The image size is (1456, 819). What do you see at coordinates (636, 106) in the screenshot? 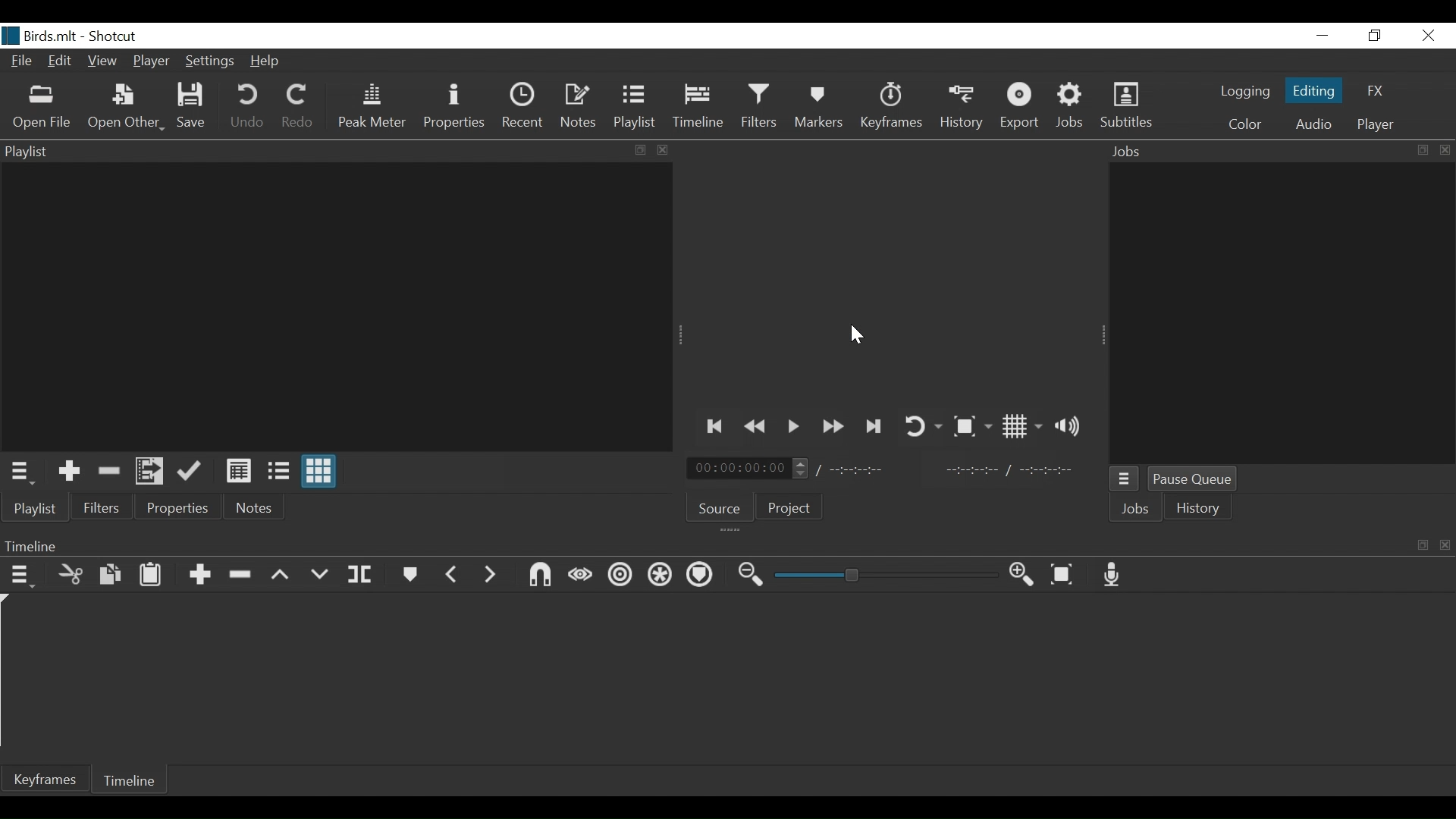
I see `Playlist` at bounding box center [636, 106].